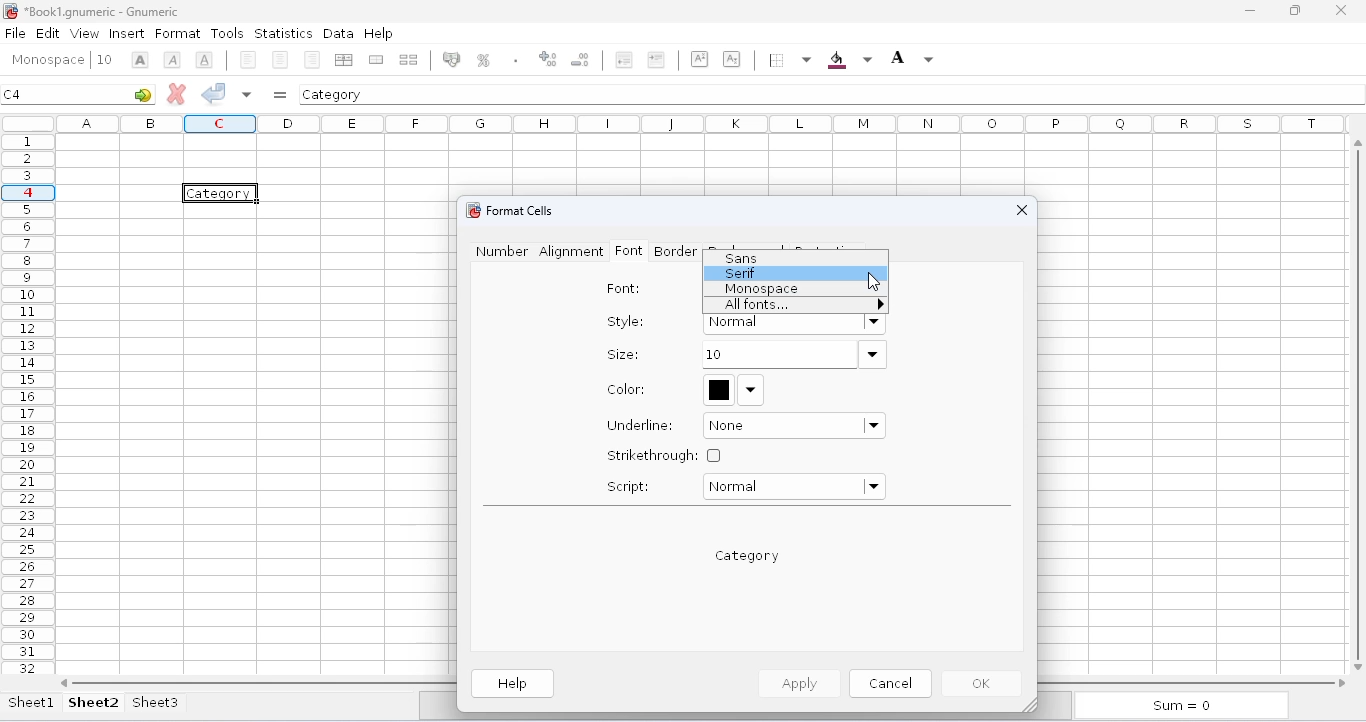 This screenshot has width=1366, height=722. What do you see at coordinates (280, 95) in the screenshot?
I see `enter formula` at bounding box center [280, 95].